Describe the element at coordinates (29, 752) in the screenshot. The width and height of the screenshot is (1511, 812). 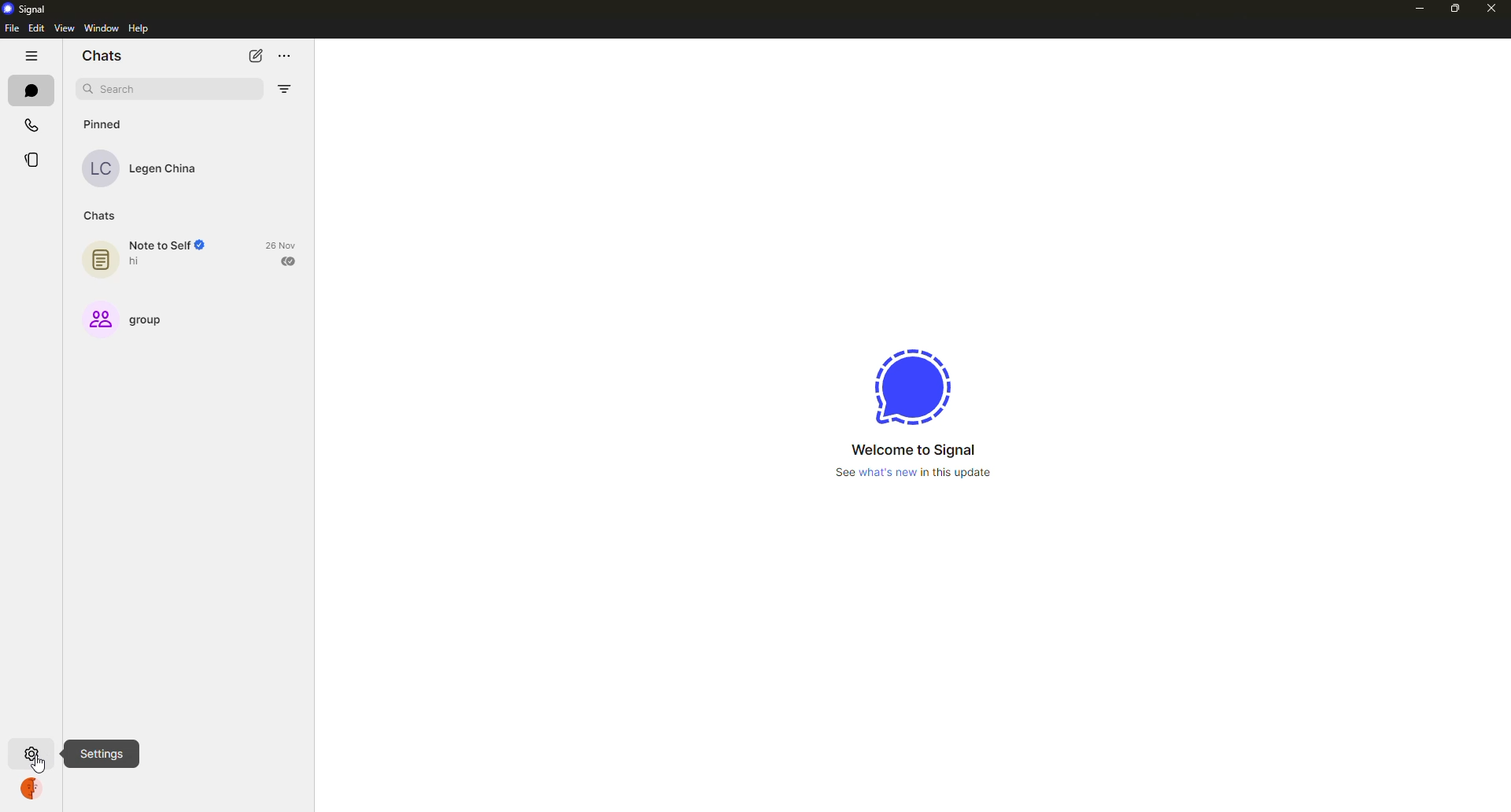
I see `settings` at that location.